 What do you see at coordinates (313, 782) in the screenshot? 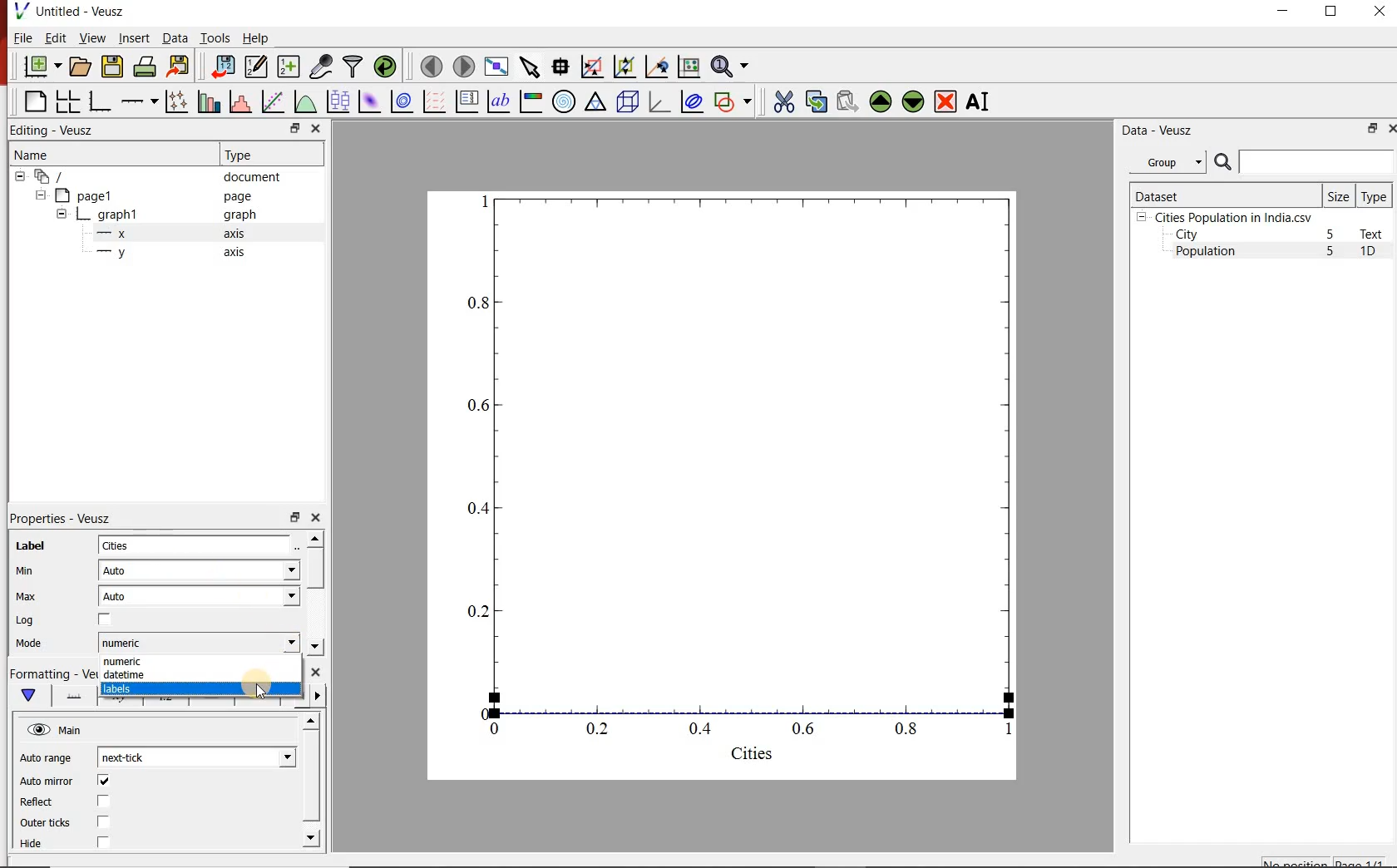
I see `scrollbar` at bounding box center [313, 782].